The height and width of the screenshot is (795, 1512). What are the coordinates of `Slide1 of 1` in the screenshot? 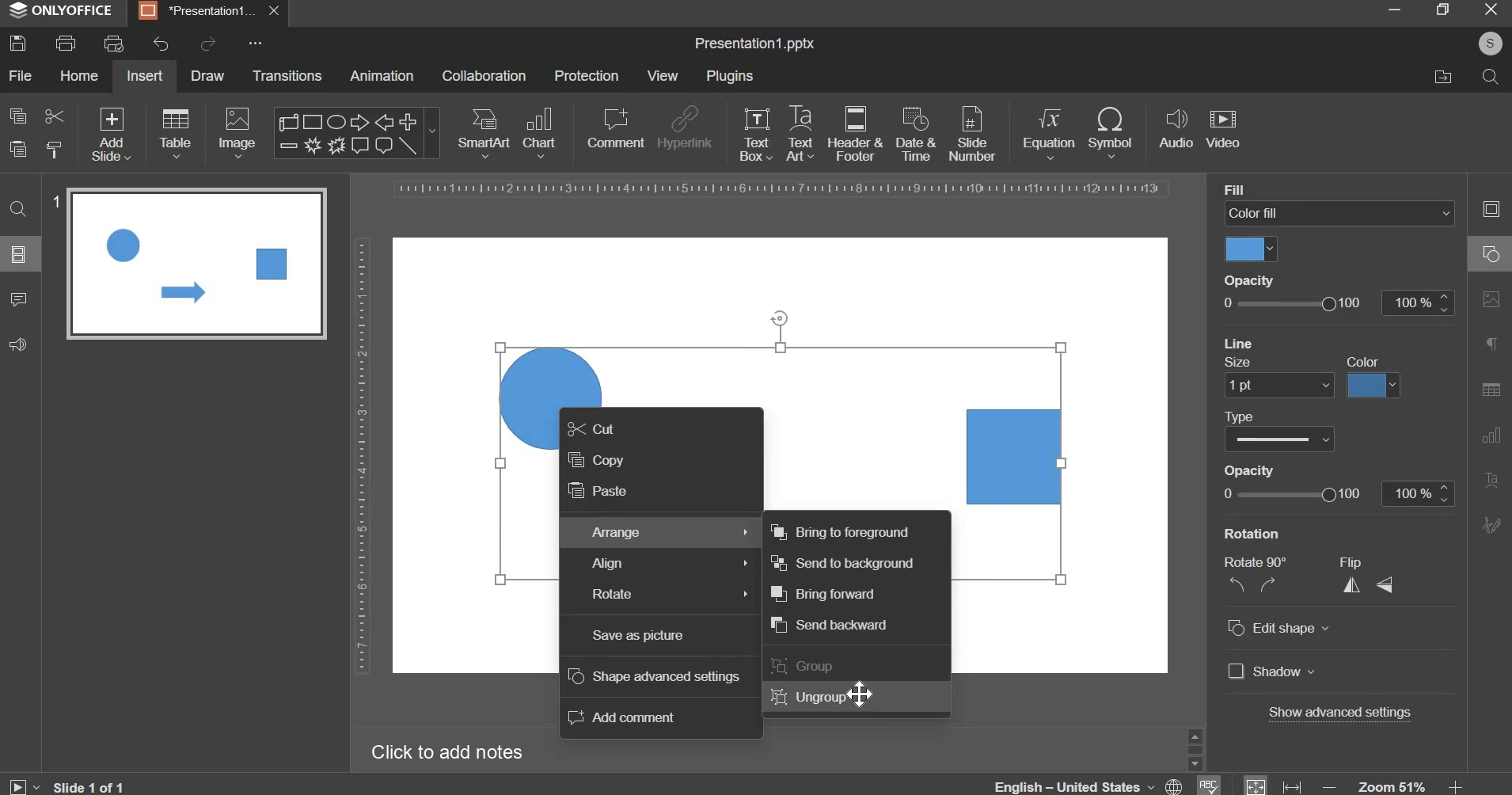 It's located at (90, 786).